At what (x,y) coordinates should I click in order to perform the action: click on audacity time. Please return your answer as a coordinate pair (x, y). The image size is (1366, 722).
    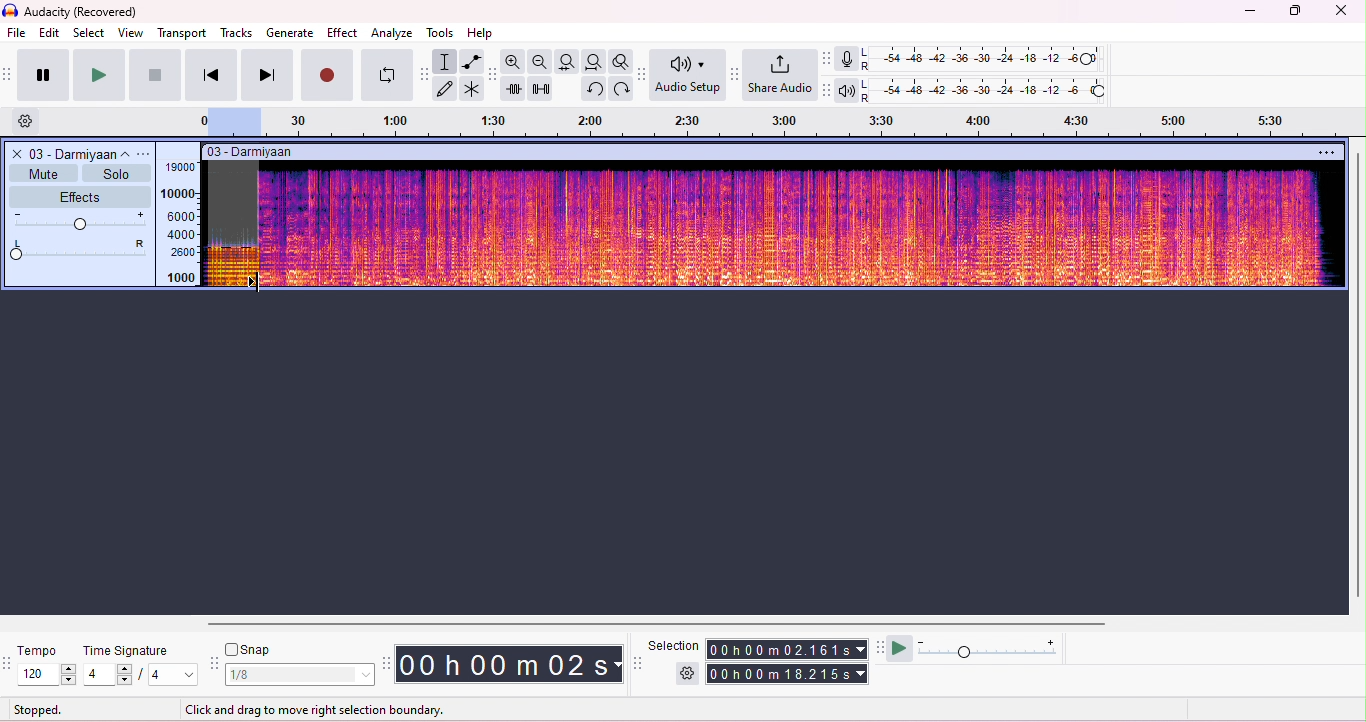
    Looking at the image, I should click on (511, 663).